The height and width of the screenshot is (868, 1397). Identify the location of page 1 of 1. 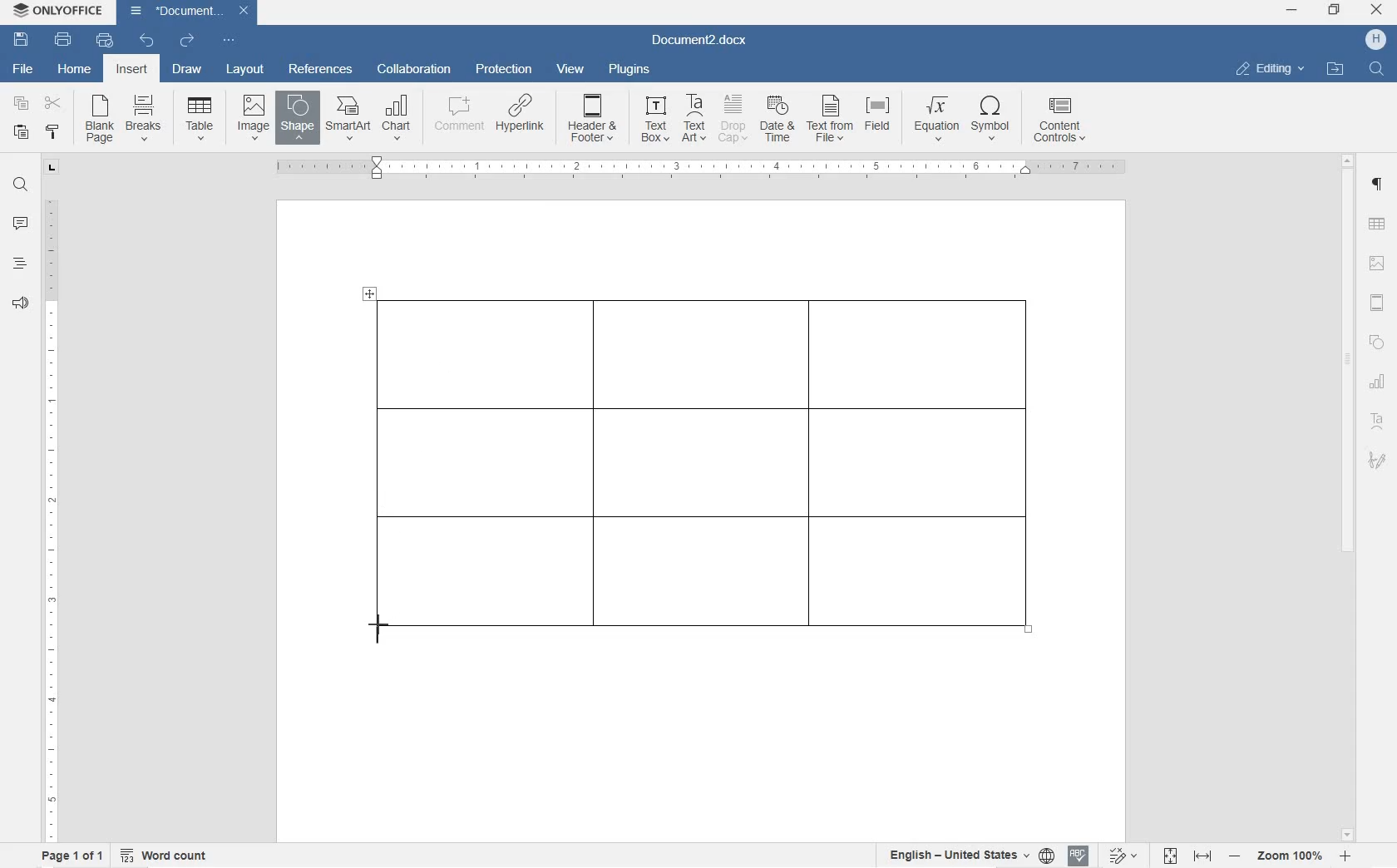
(70, 856).